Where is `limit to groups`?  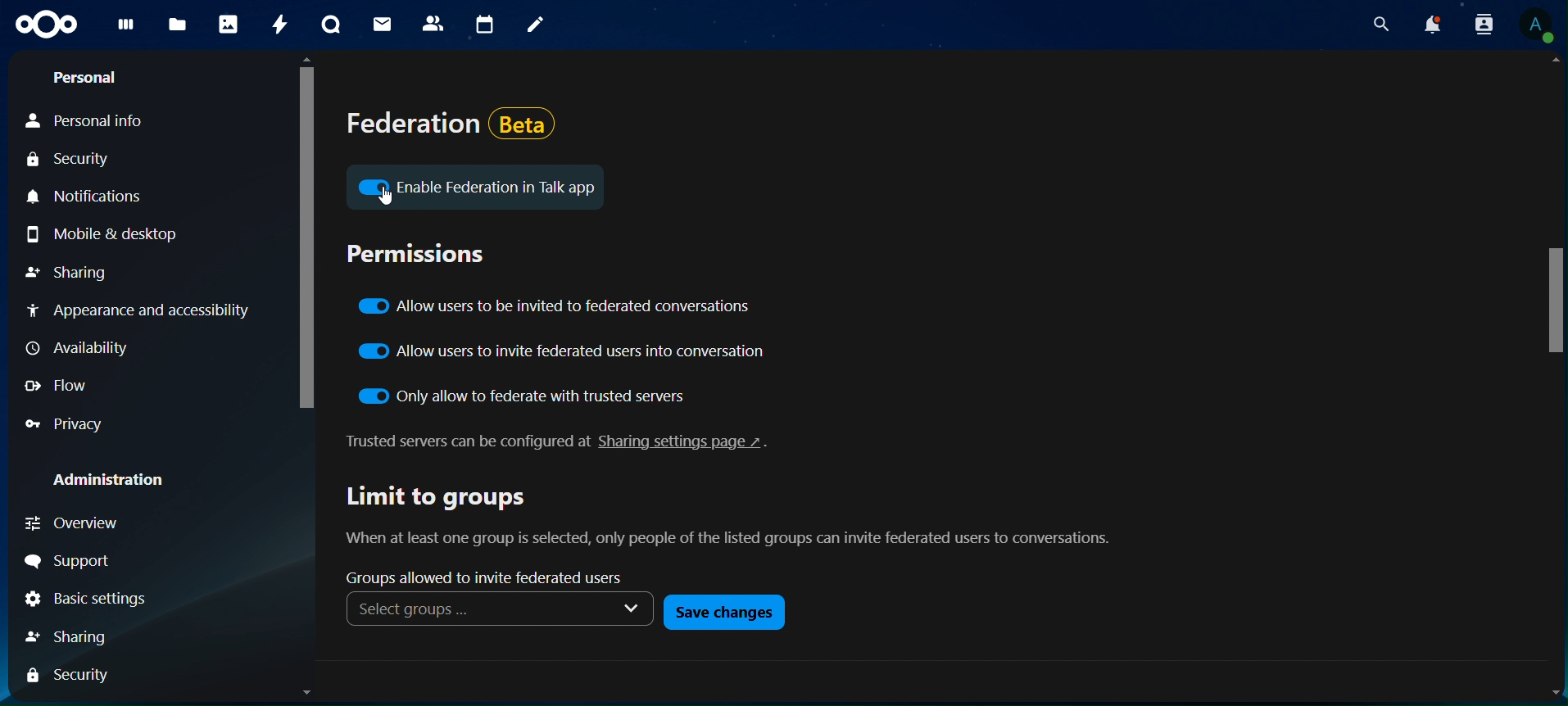
limit to groups is located at coordinates (449, 500).